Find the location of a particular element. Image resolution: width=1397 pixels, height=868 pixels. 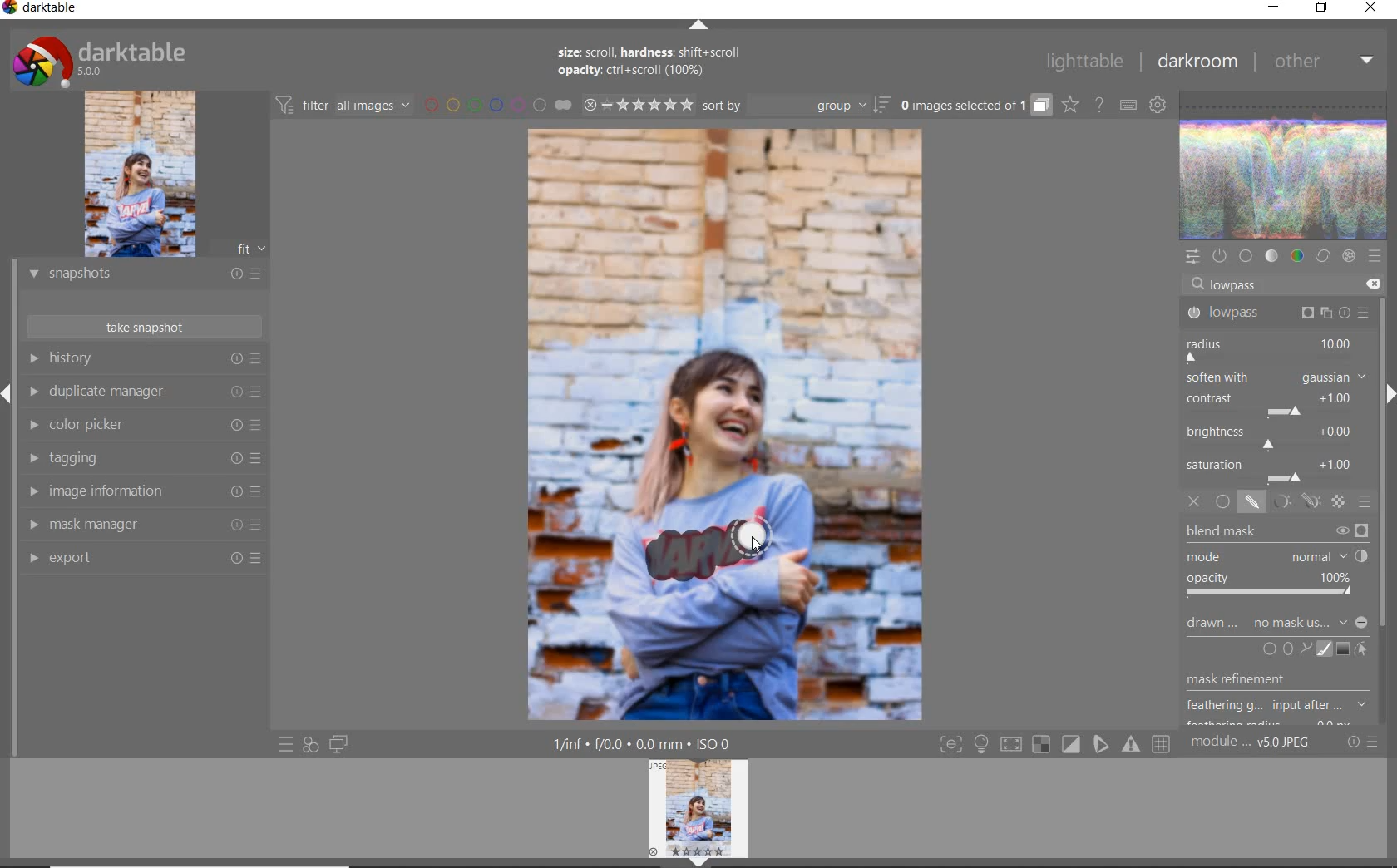

effect is located at coordinates (1346, 257).